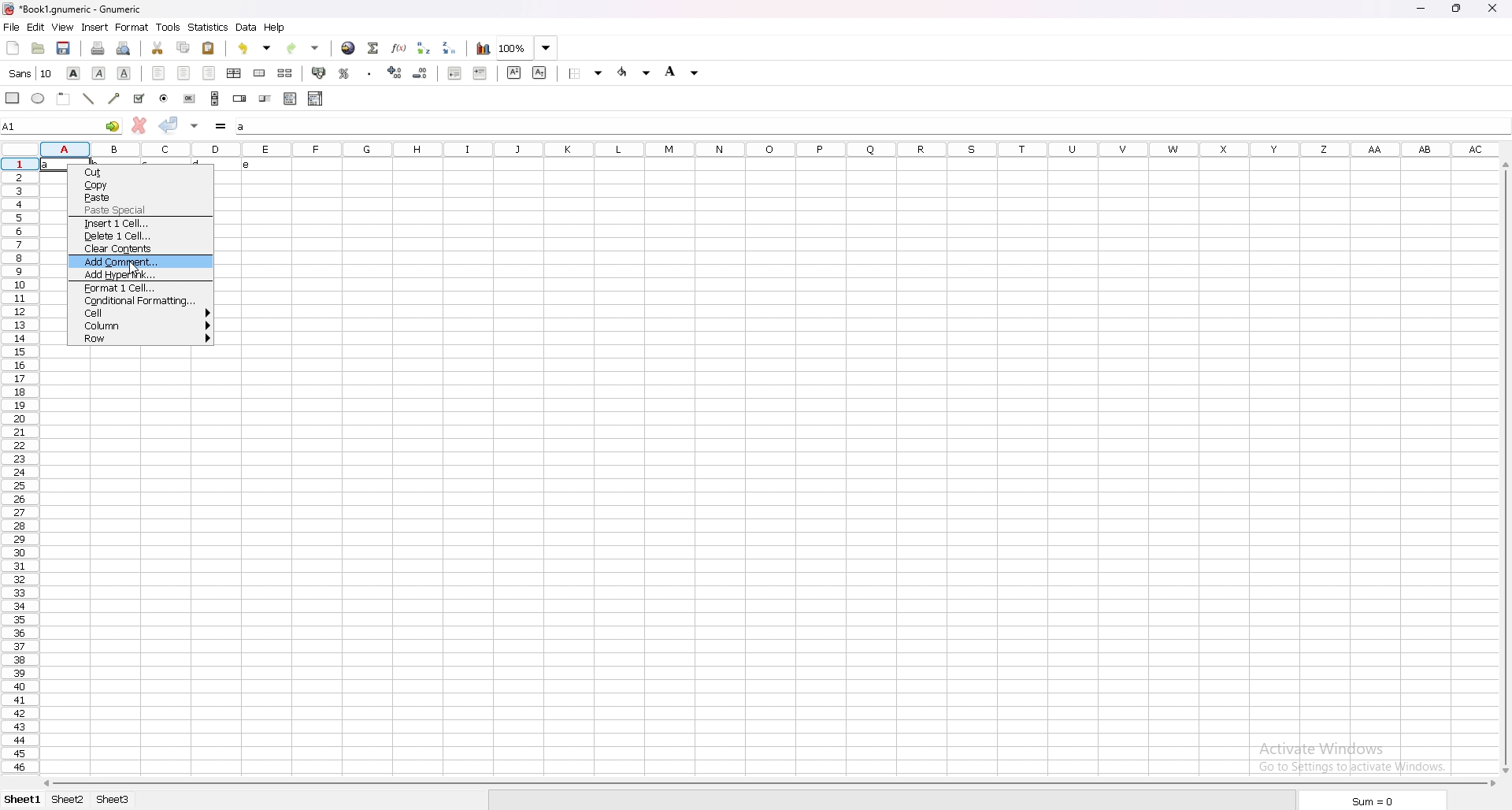  Describe the element at coordinates (421, 73) in the screenshot. I see `decrease decimals` at that location.